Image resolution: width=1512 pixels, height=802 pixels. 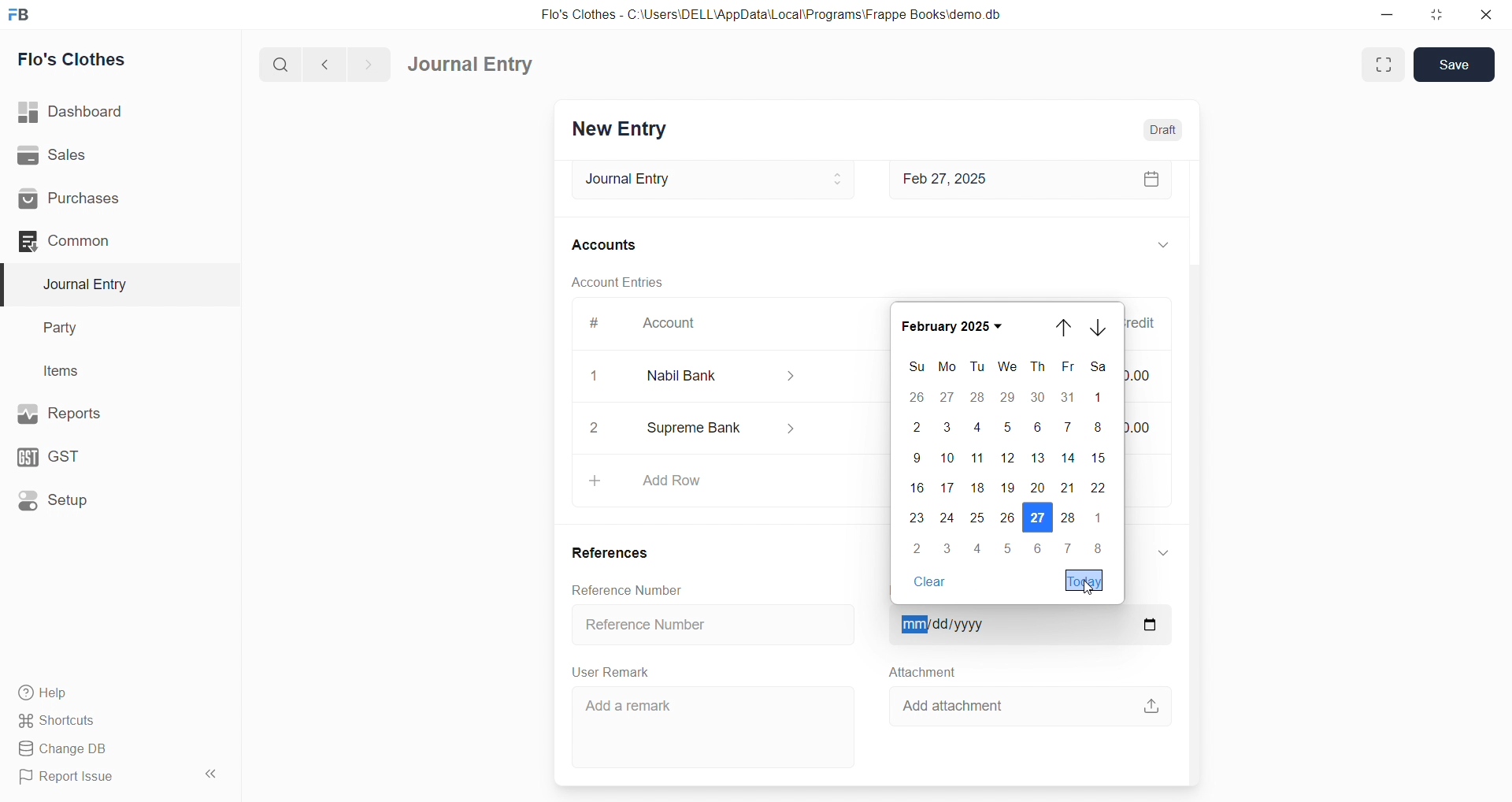 What do you see at coordinates (1101, 327) in the screenshot?
I see `go down` at bounding box center [1101, 327].